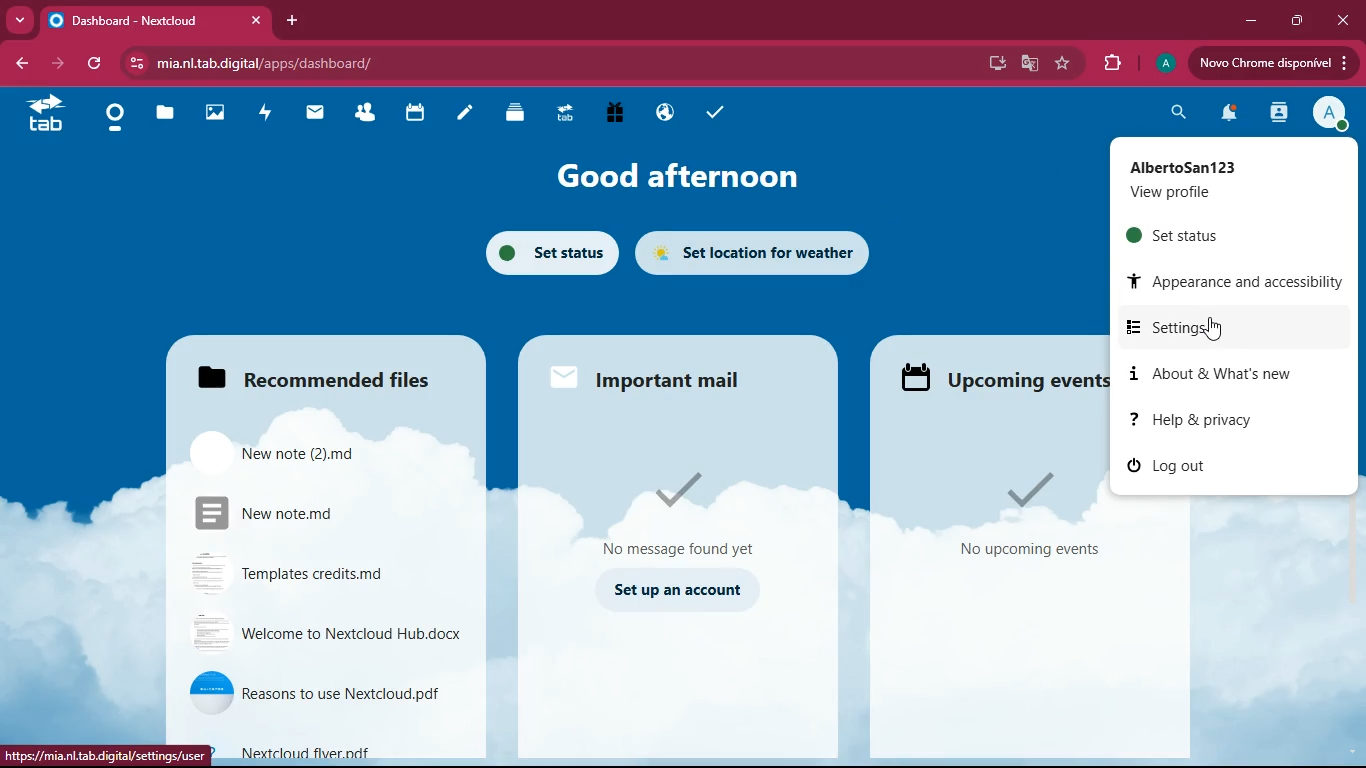  I want to click on home, so click(109, 117).